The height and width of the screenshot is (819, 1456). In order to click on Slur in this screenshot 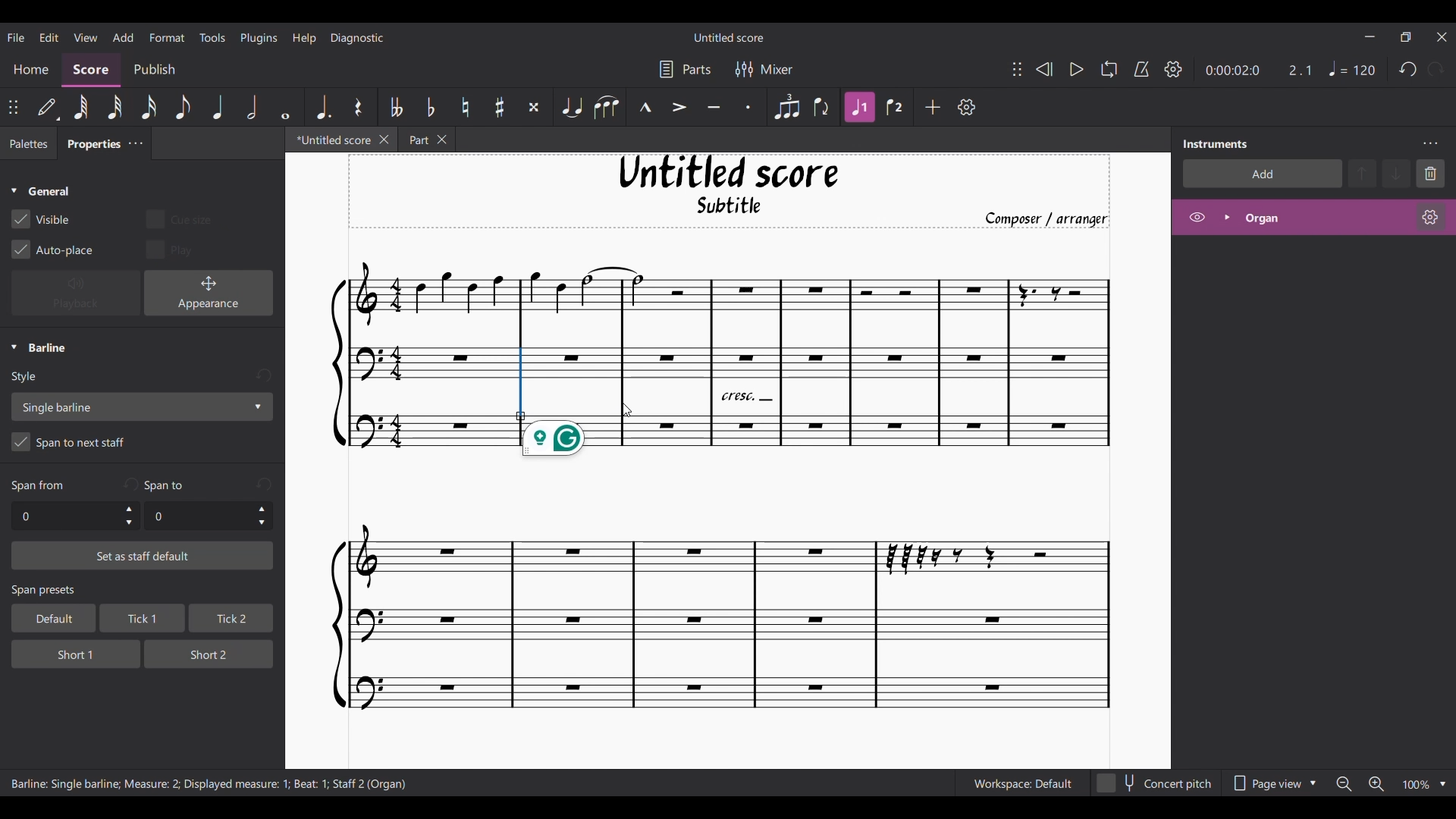, I will do `click(606, 107)`.